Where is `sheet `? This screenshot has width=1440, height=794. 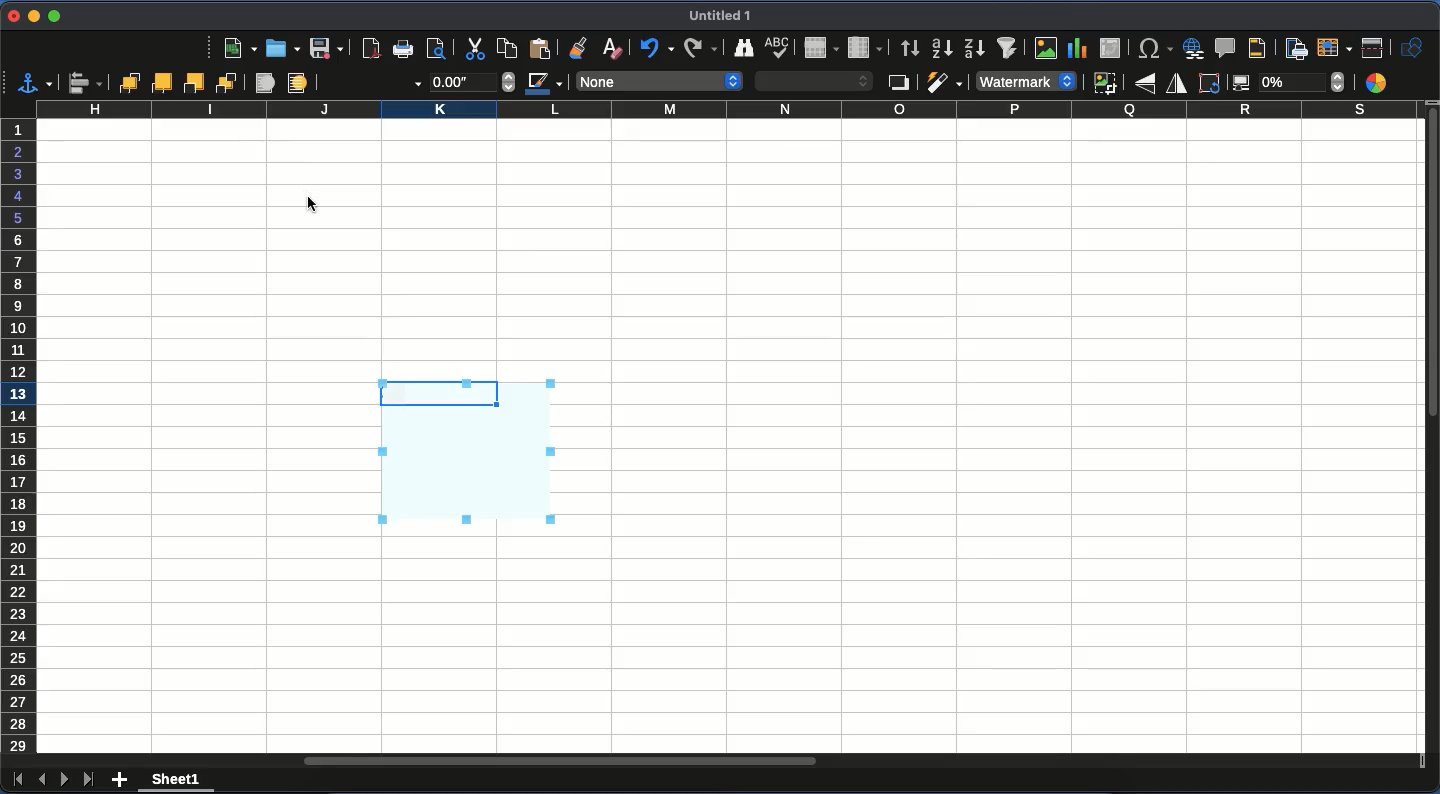 sheet  is located at coordinates (176, 782).